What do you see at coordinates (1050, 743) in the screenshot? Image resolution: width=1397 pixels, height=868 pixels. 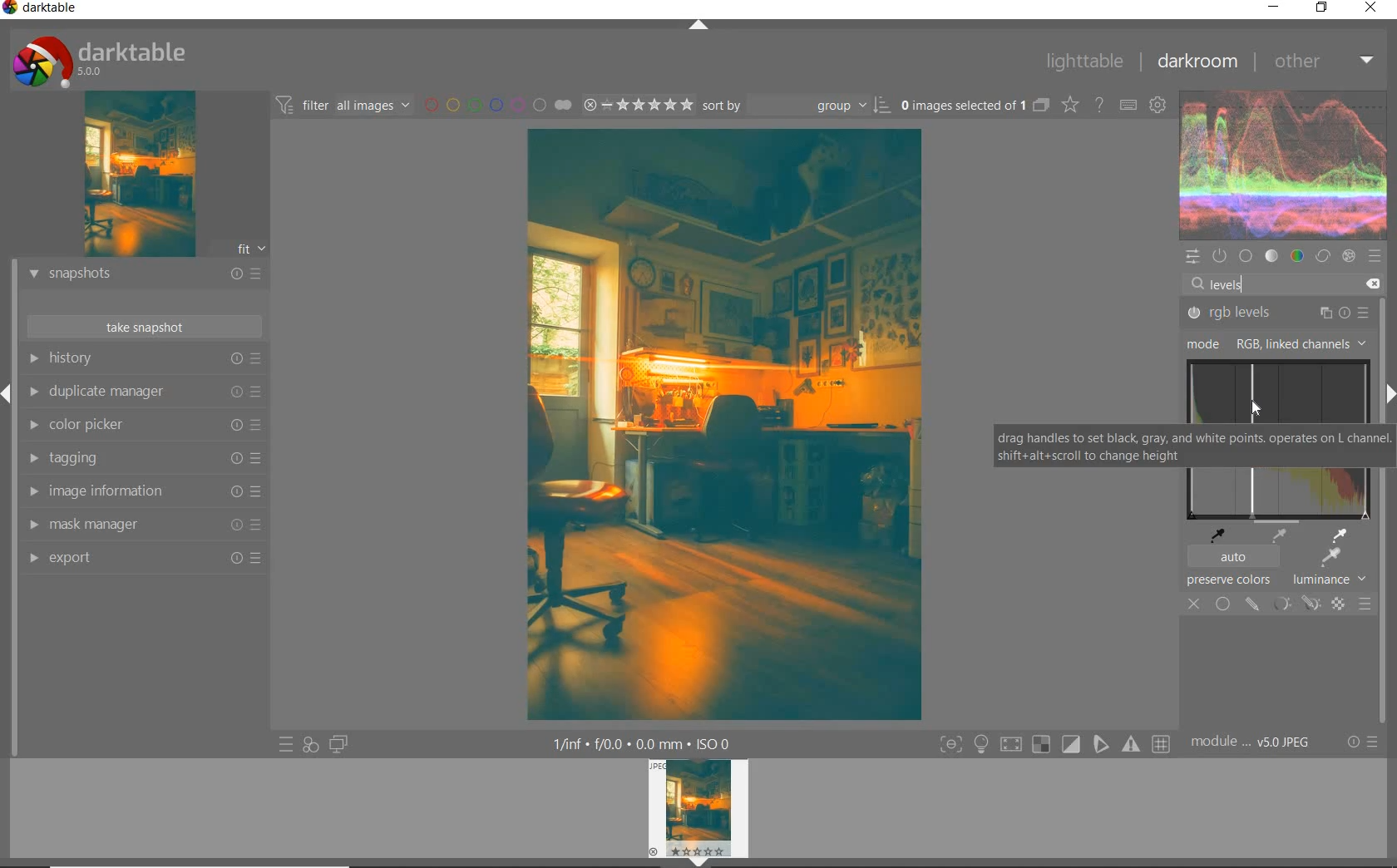 I see `toggle modes` at bounding box center [1050, 743].